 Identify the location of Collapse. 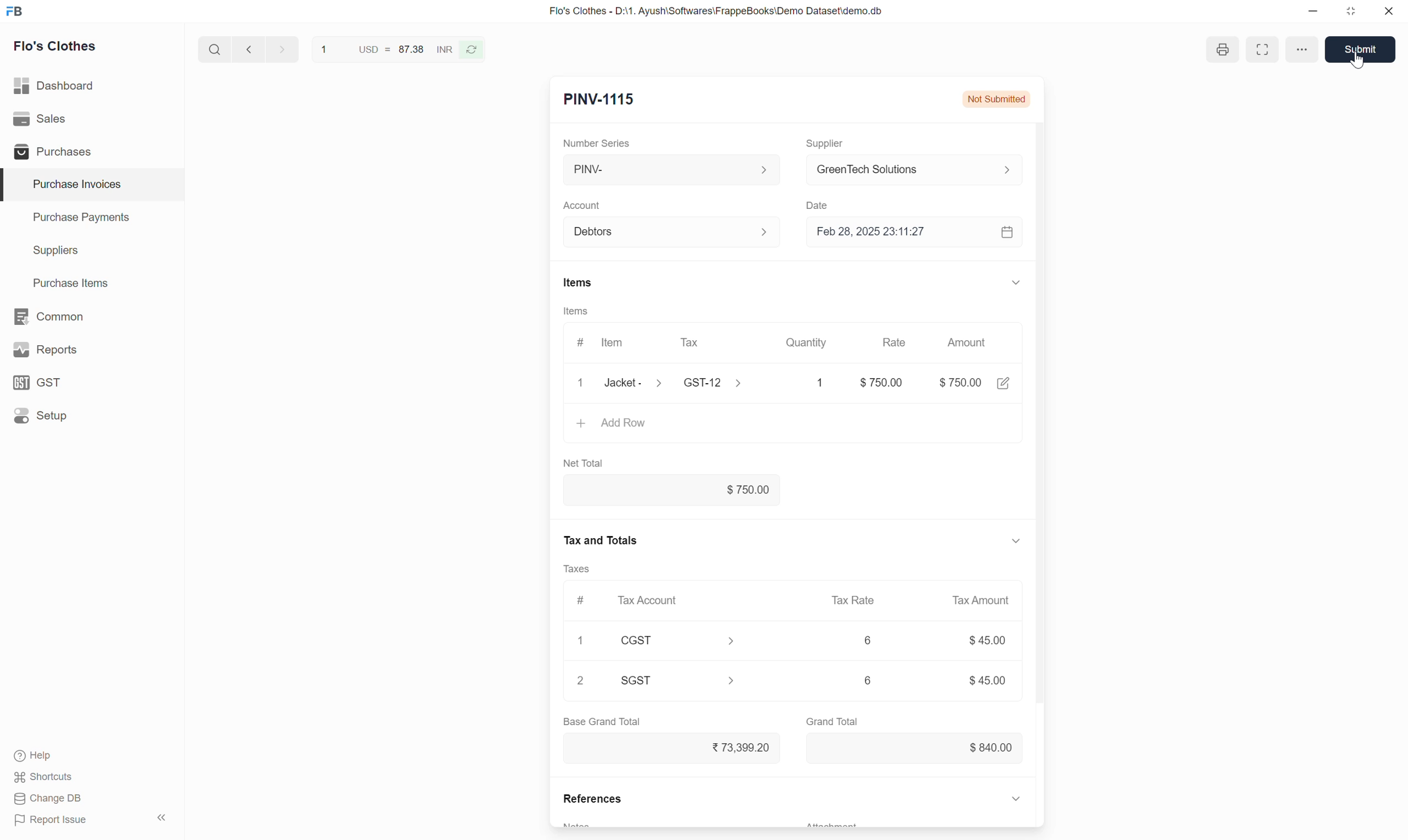
(1016, 541).